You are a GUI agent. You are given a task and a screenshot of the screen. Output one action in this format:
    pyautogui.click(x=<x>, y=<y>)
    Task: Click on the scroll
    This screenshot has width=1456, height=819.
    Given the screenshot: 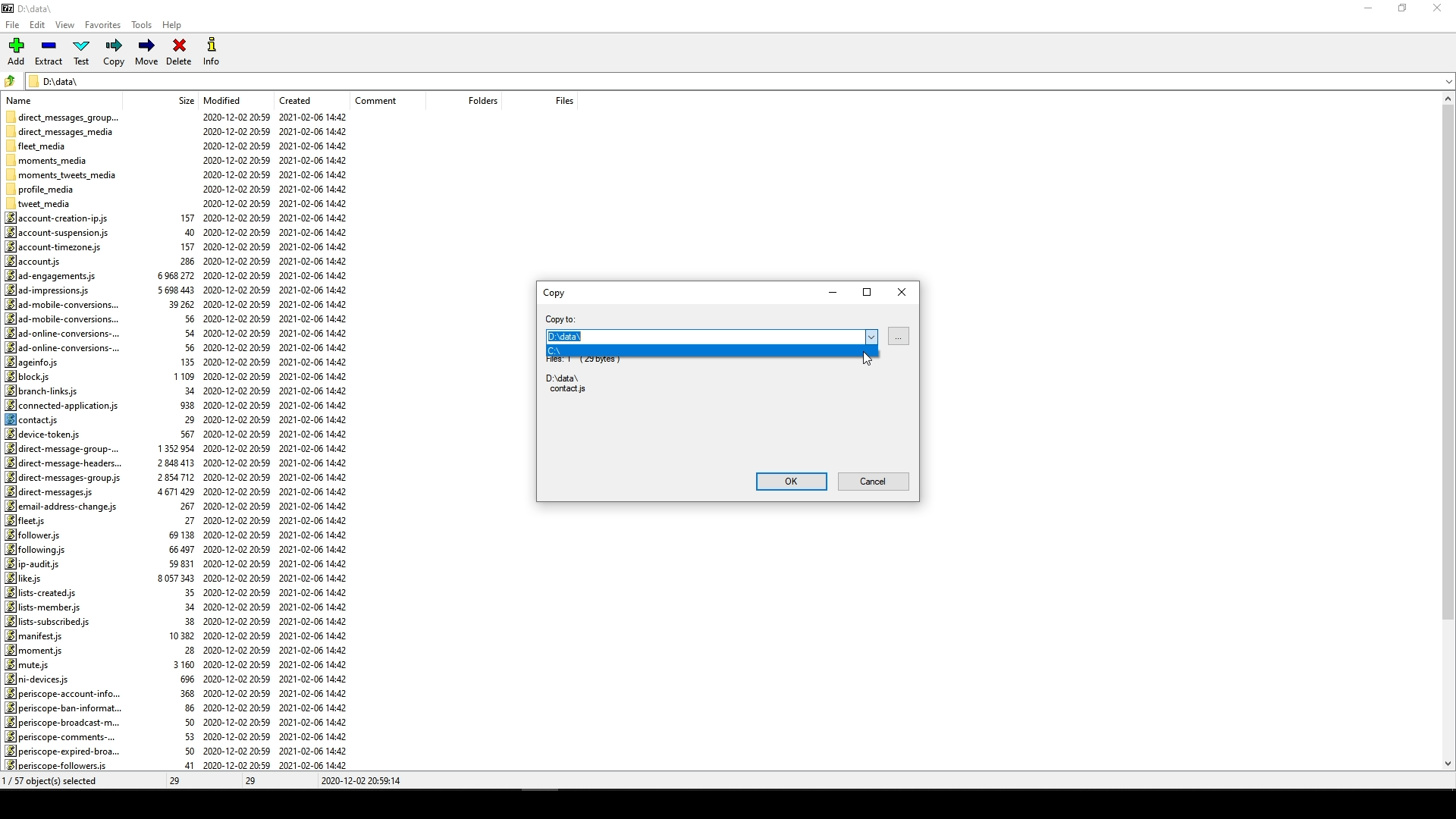 What is the action you would take?
    pyautogui.click(x=1443, y=434)
    